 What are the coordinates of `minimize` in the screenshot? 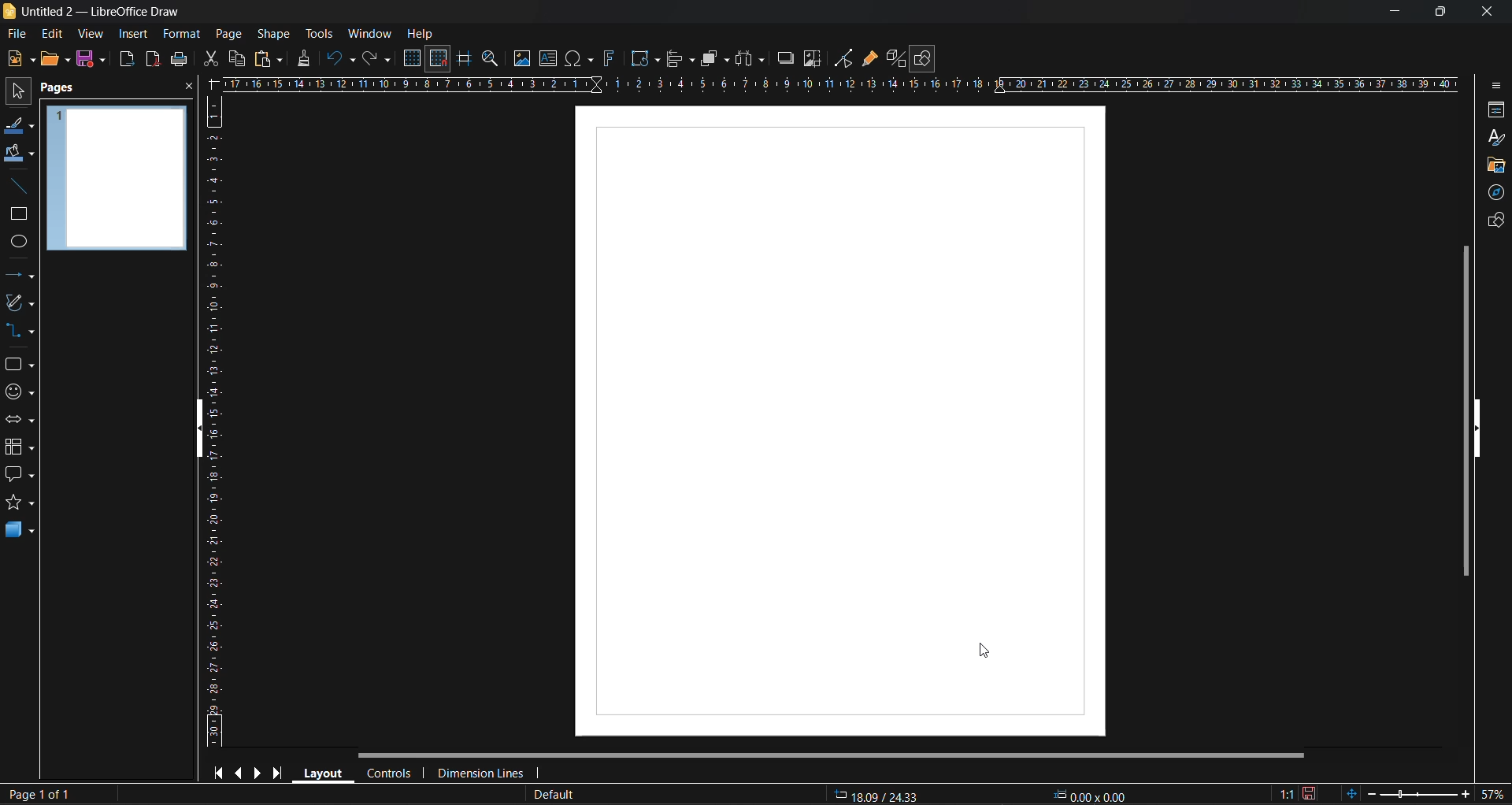 It's located at (1389, 12).